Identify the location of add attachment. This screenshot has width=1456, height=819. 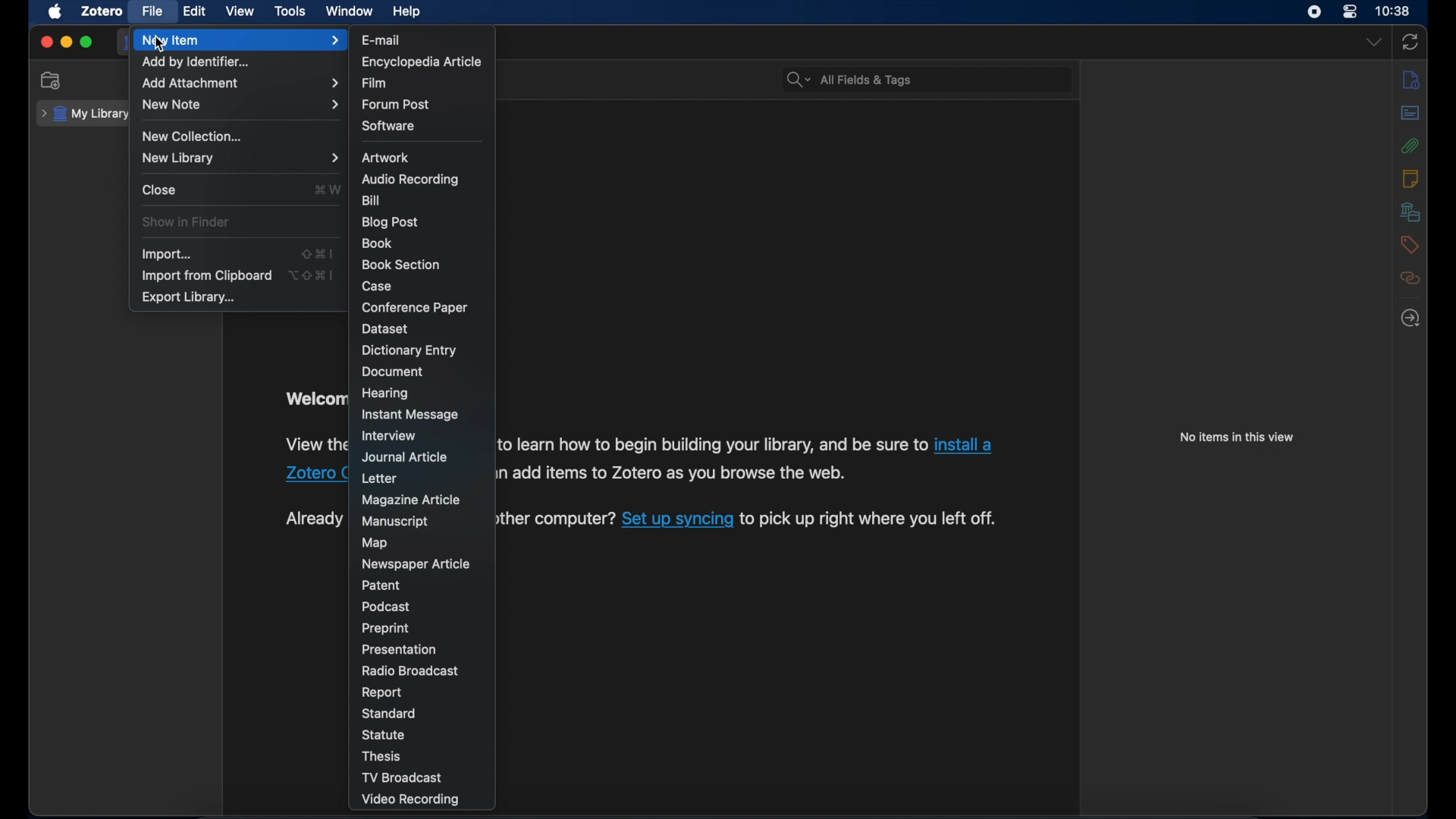
(243, 83).